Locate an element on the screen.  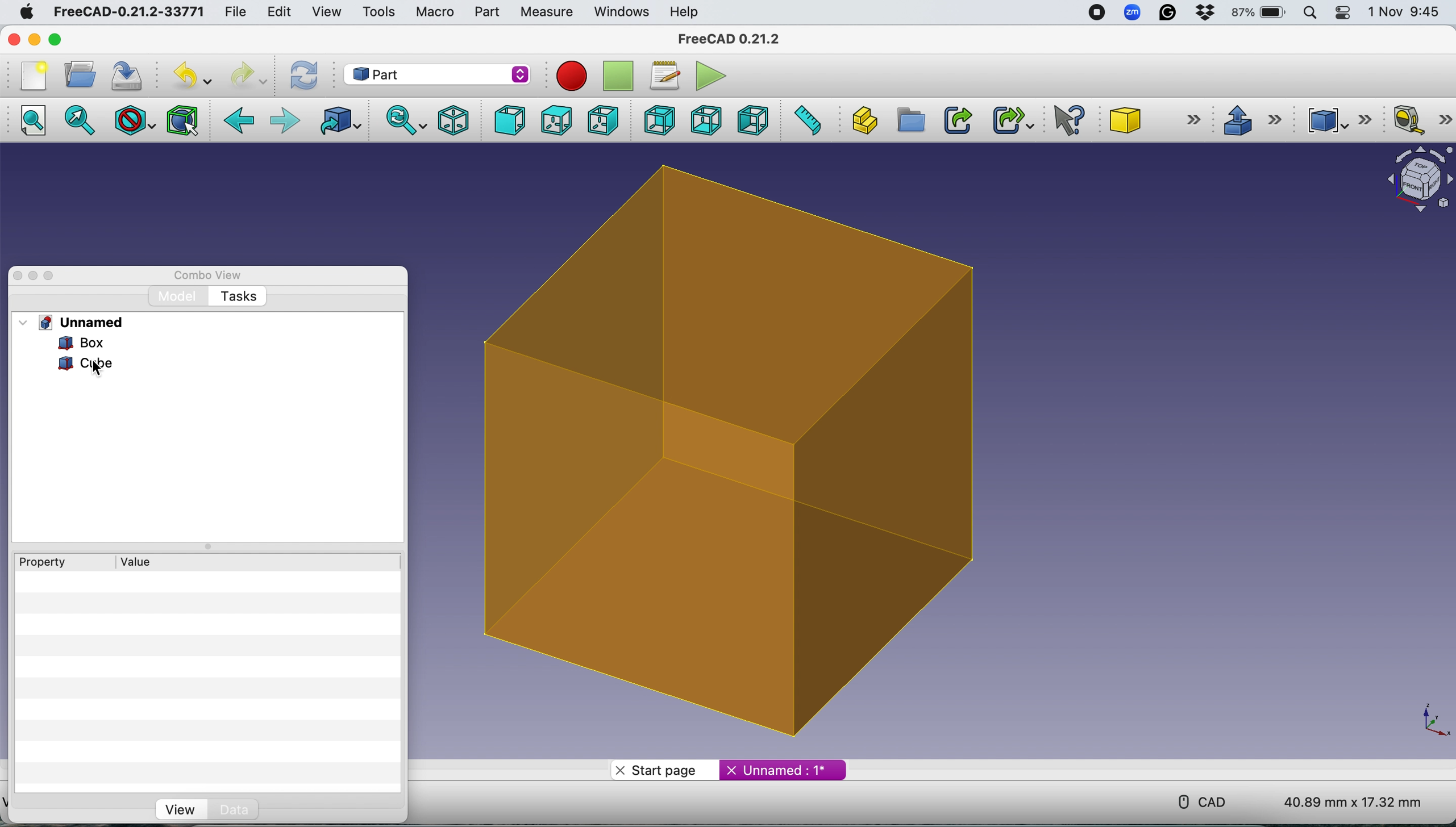
Unnamed is located at coordinates (84, 322).